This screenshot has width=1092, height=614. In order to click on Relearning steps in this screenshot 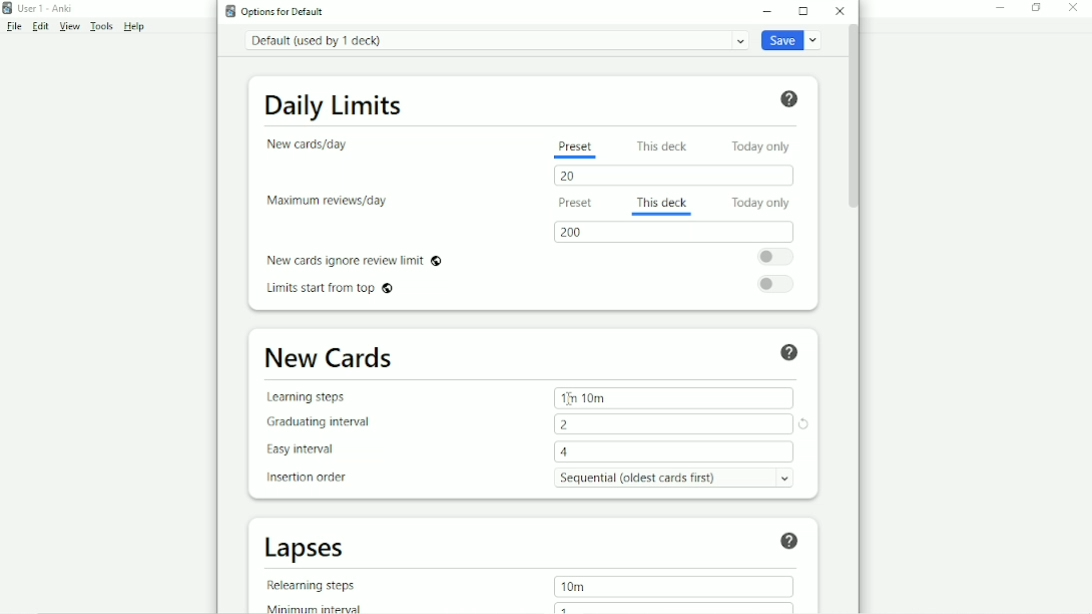, I will do `click(311, 585)`.